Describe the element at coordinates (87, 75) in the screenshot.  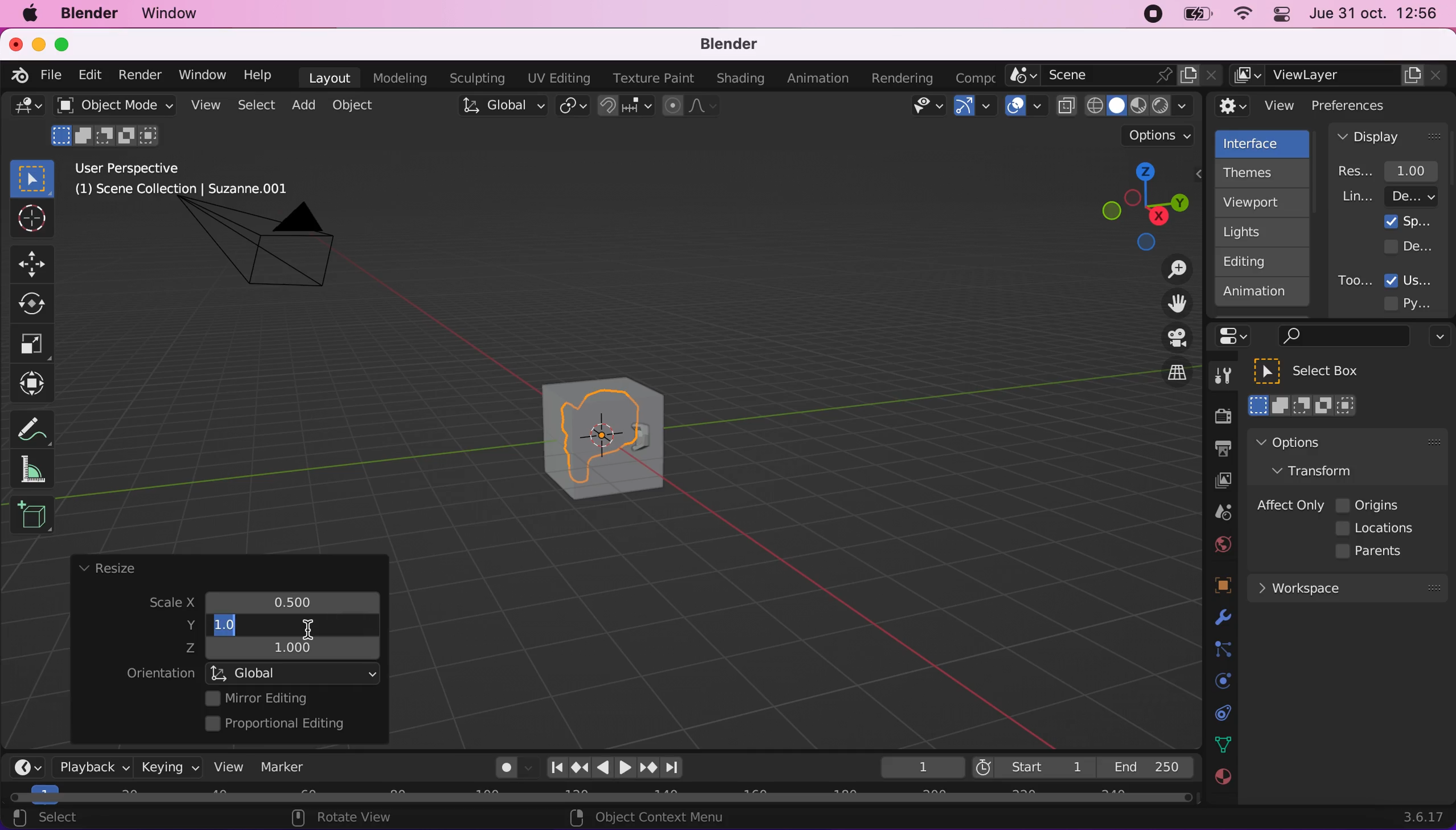
I see `edit` at that location.